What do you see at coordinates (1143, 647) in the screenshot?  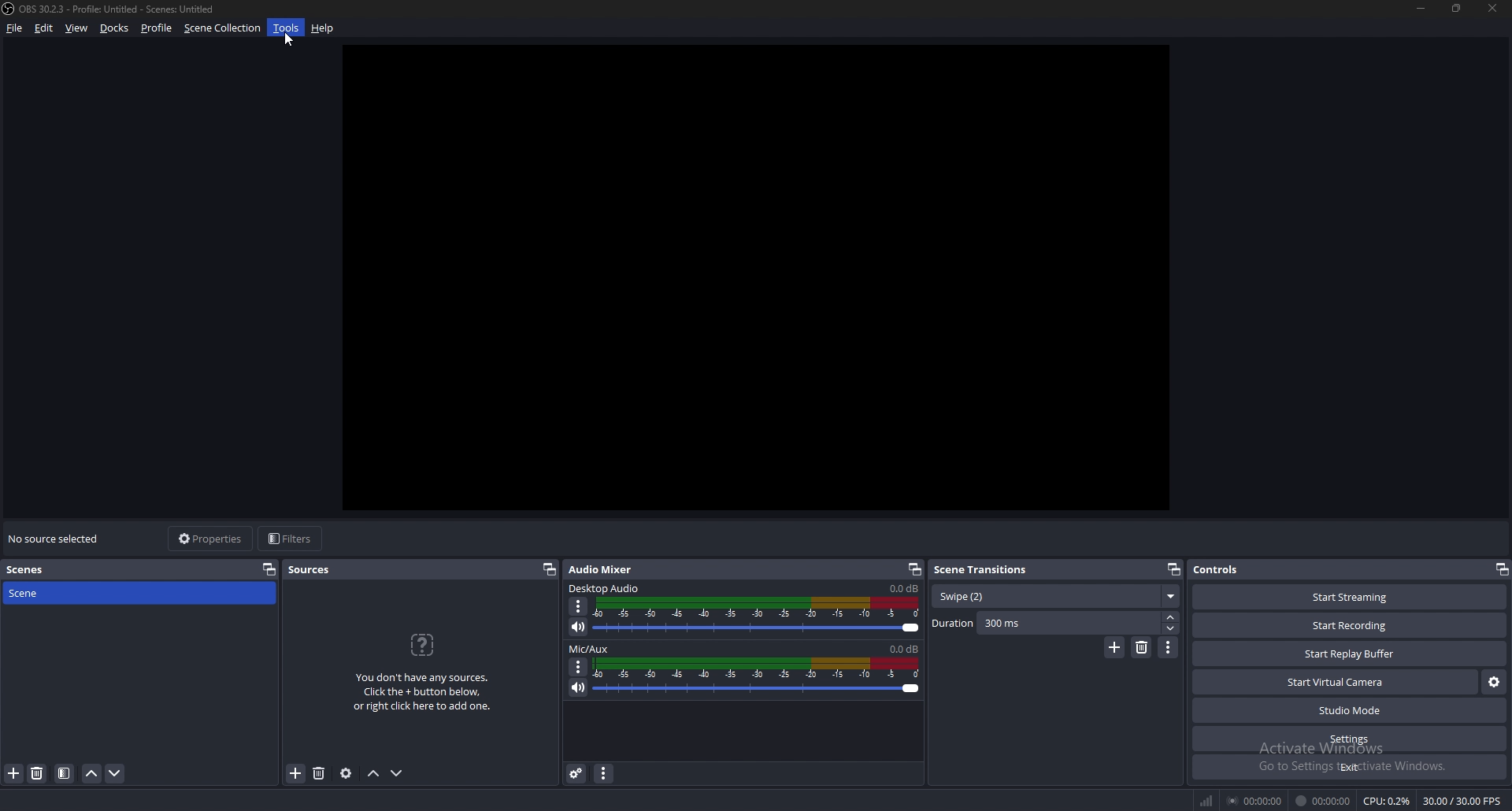 I see `remove transition` at bounding box center [1143, 647].